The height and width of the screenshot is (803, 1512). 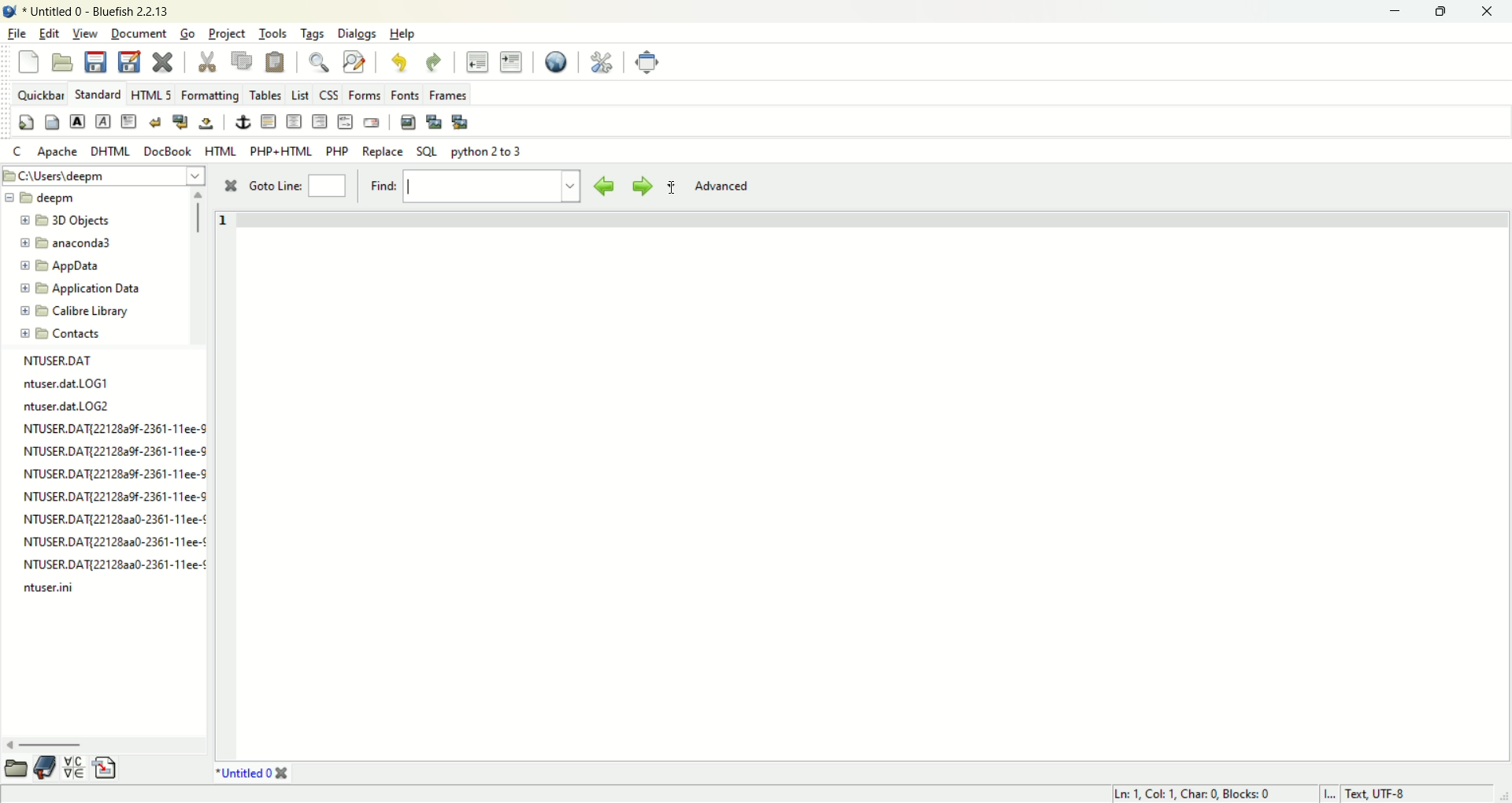 I want to click on Untitled 0 - Bluefish 2.2.13, so click(x=96, y=13).